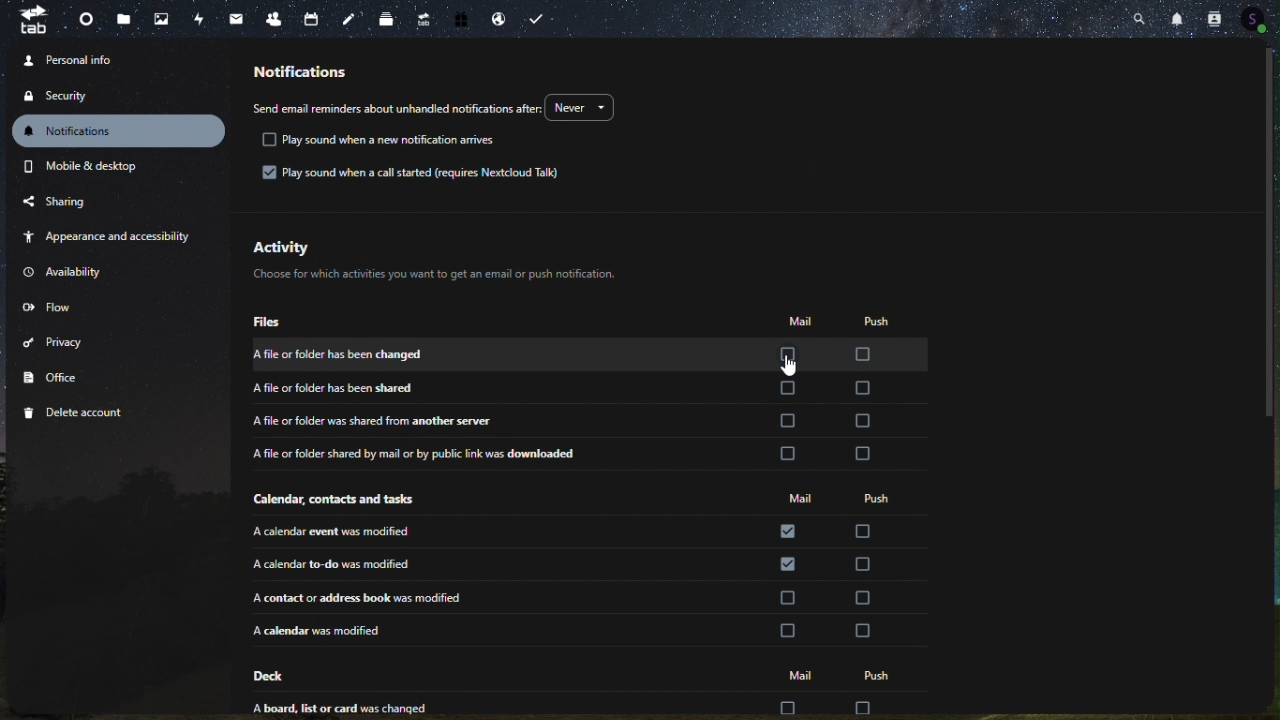 Image resolution: width=1280 pixels, height=720 pixels. What do you see at coordinates (896, 498) in the screenshot?
I see `push` at bounding box center [896, 498].